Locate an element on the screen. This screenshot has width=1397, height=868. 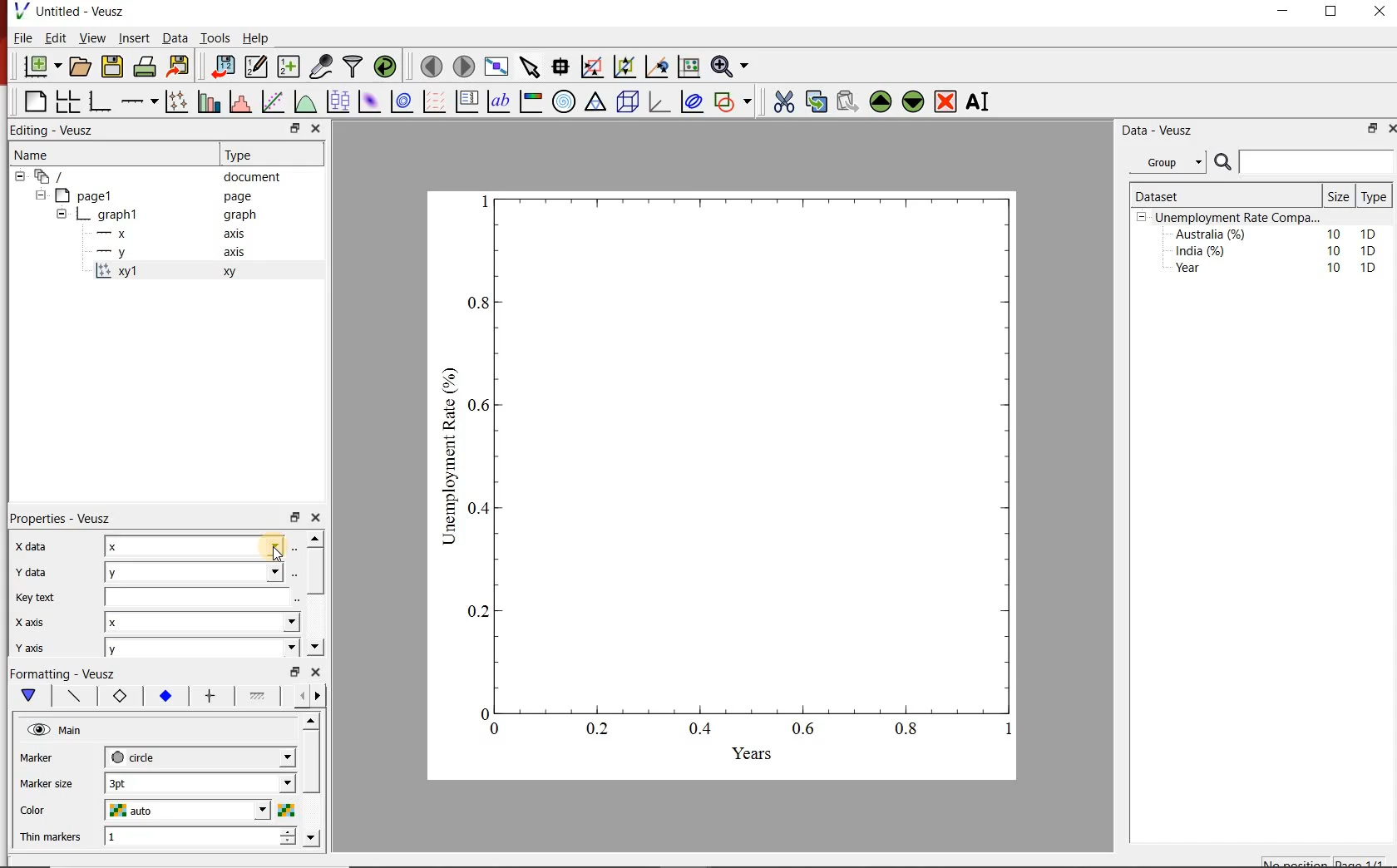
xy 1 xy is located at coordinates (195, 271).